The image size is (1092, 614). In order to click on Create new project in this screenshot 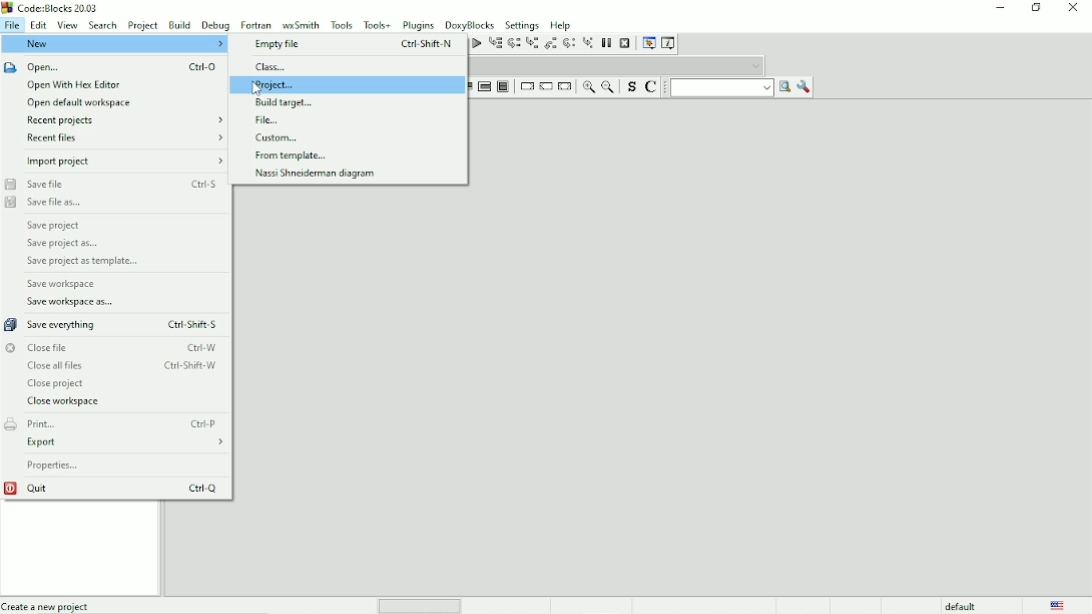, I will do `click(47, 605)`.